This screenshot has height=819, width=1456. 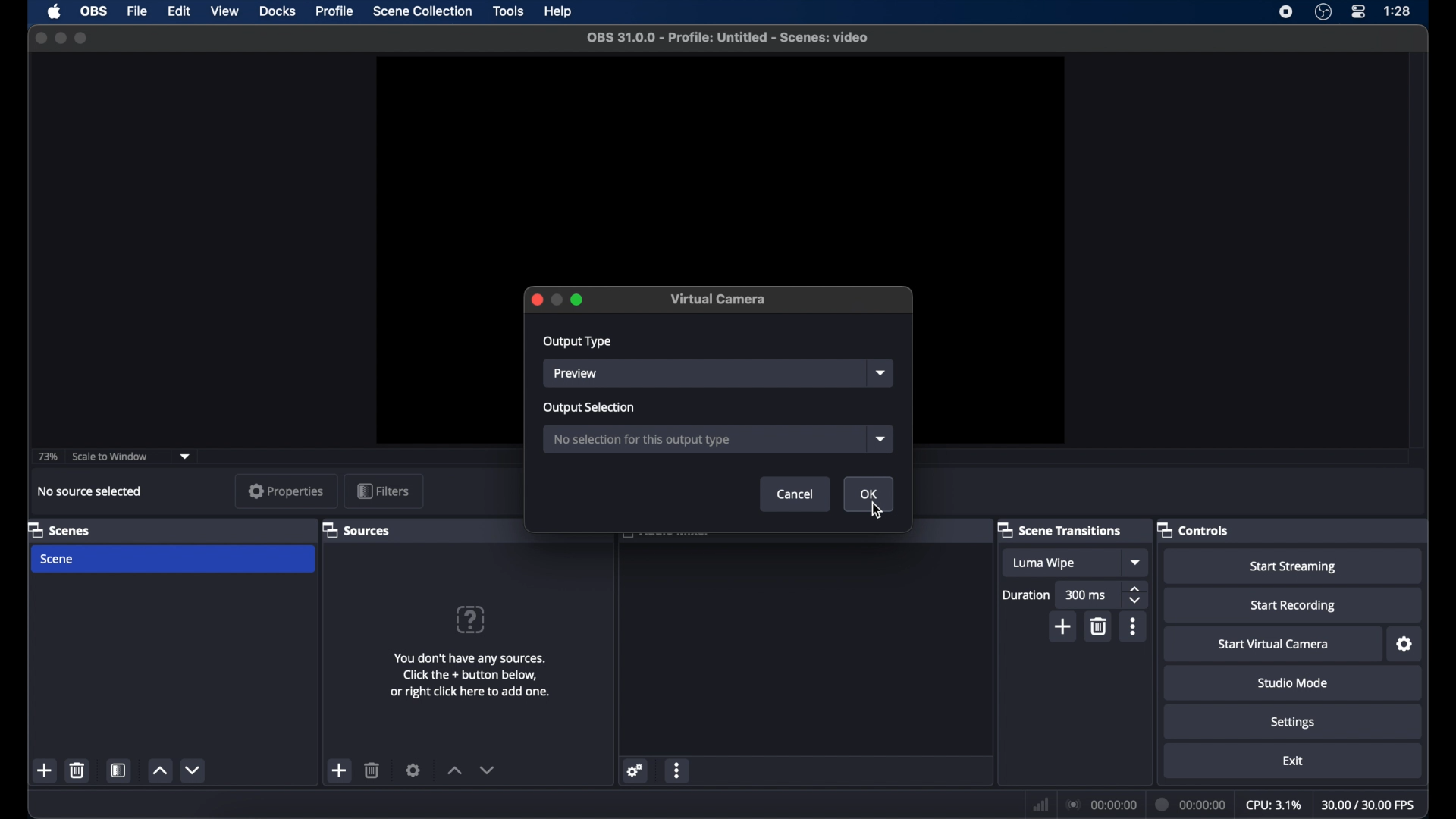 What do you see at coordinates (706, 373) in the screenshot?
I see `source` at bounding box center [706, 373].